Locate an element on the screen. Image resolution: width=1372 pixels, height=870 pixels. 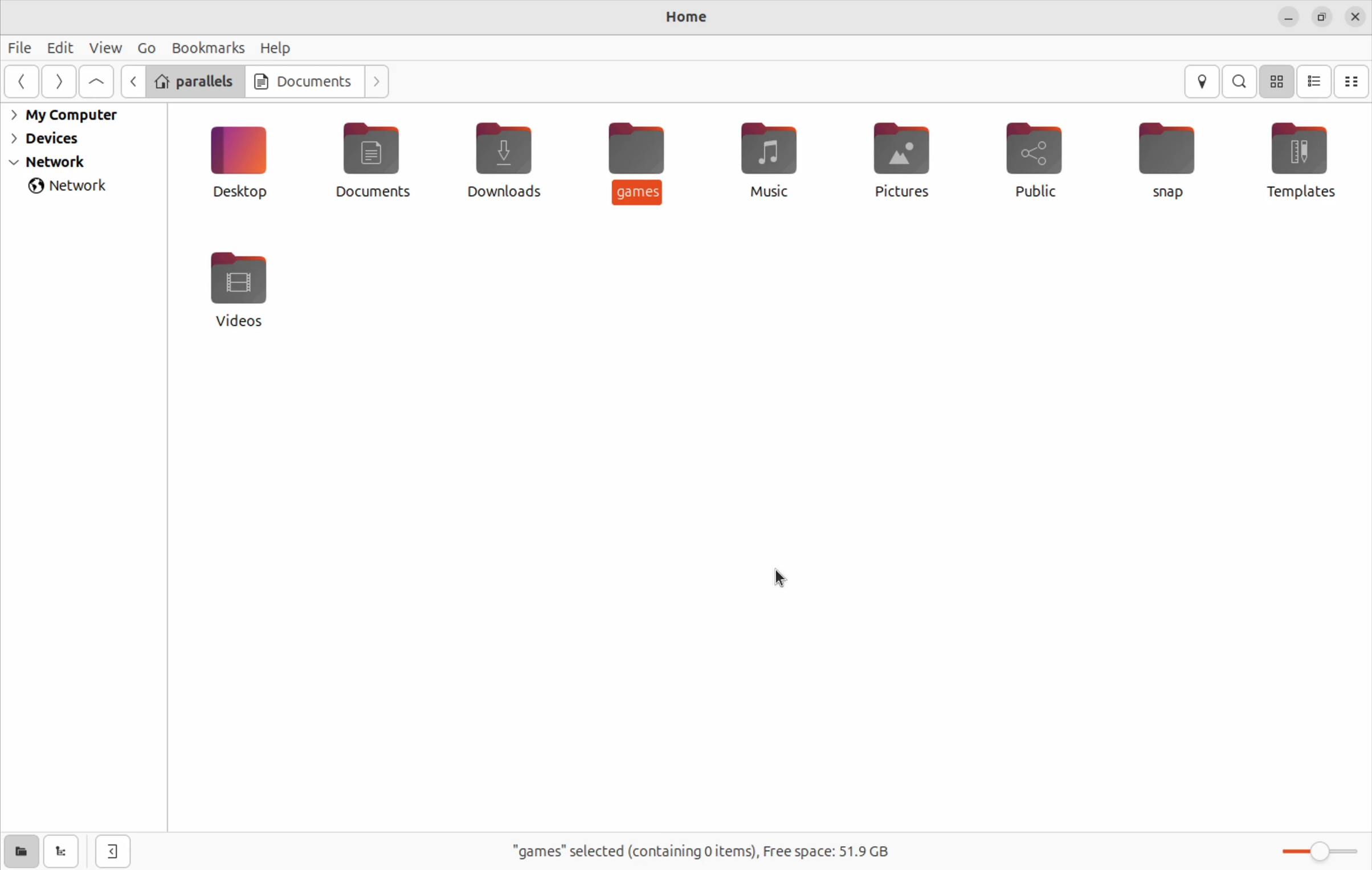
network is located at coordinates (75, 185).